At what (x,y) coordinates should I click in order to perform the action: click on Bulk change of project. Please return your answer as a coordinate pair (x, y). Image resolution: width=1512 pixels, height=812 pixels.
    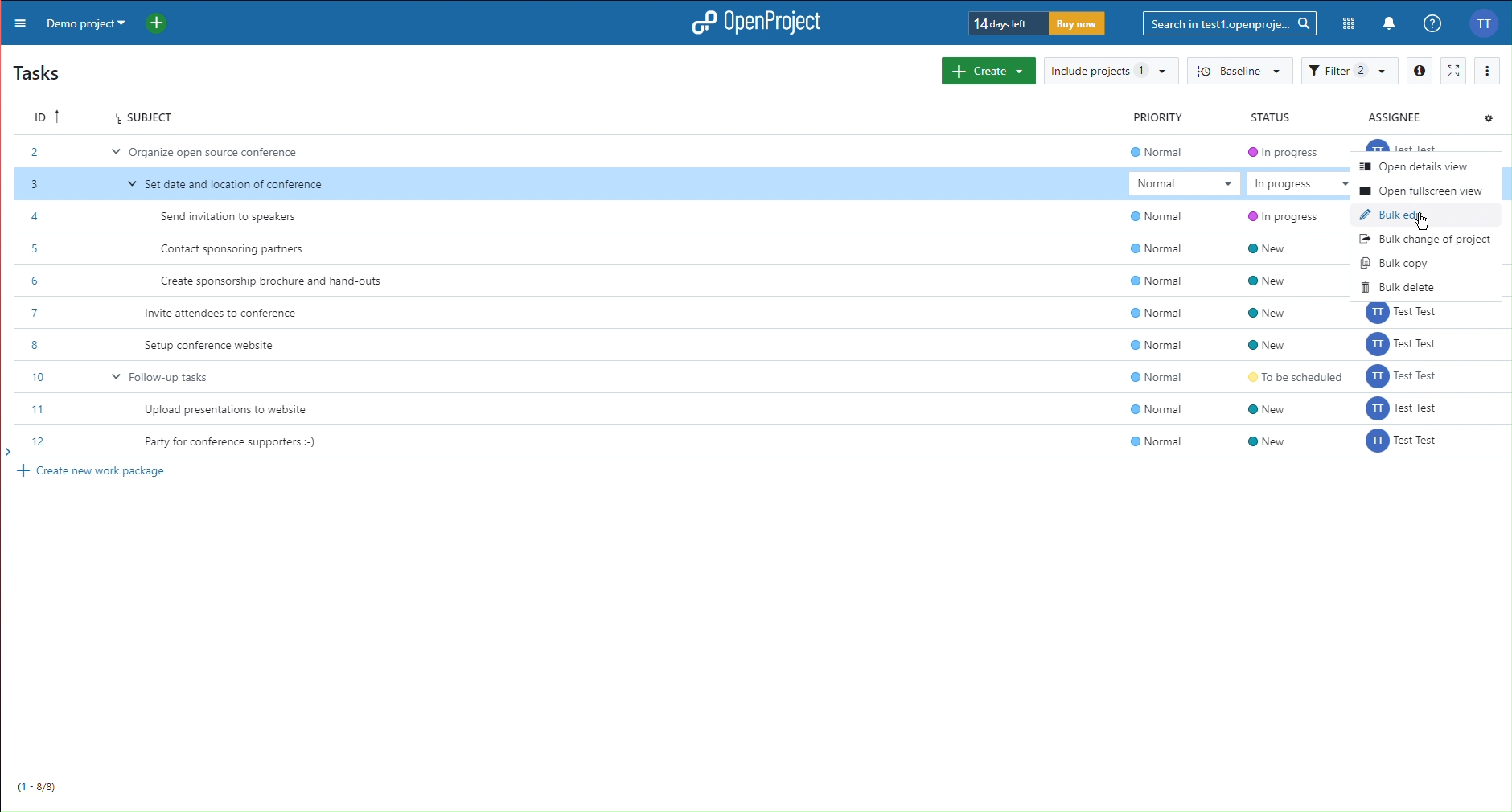
    Looking at the image, I should click on (1426, 236).